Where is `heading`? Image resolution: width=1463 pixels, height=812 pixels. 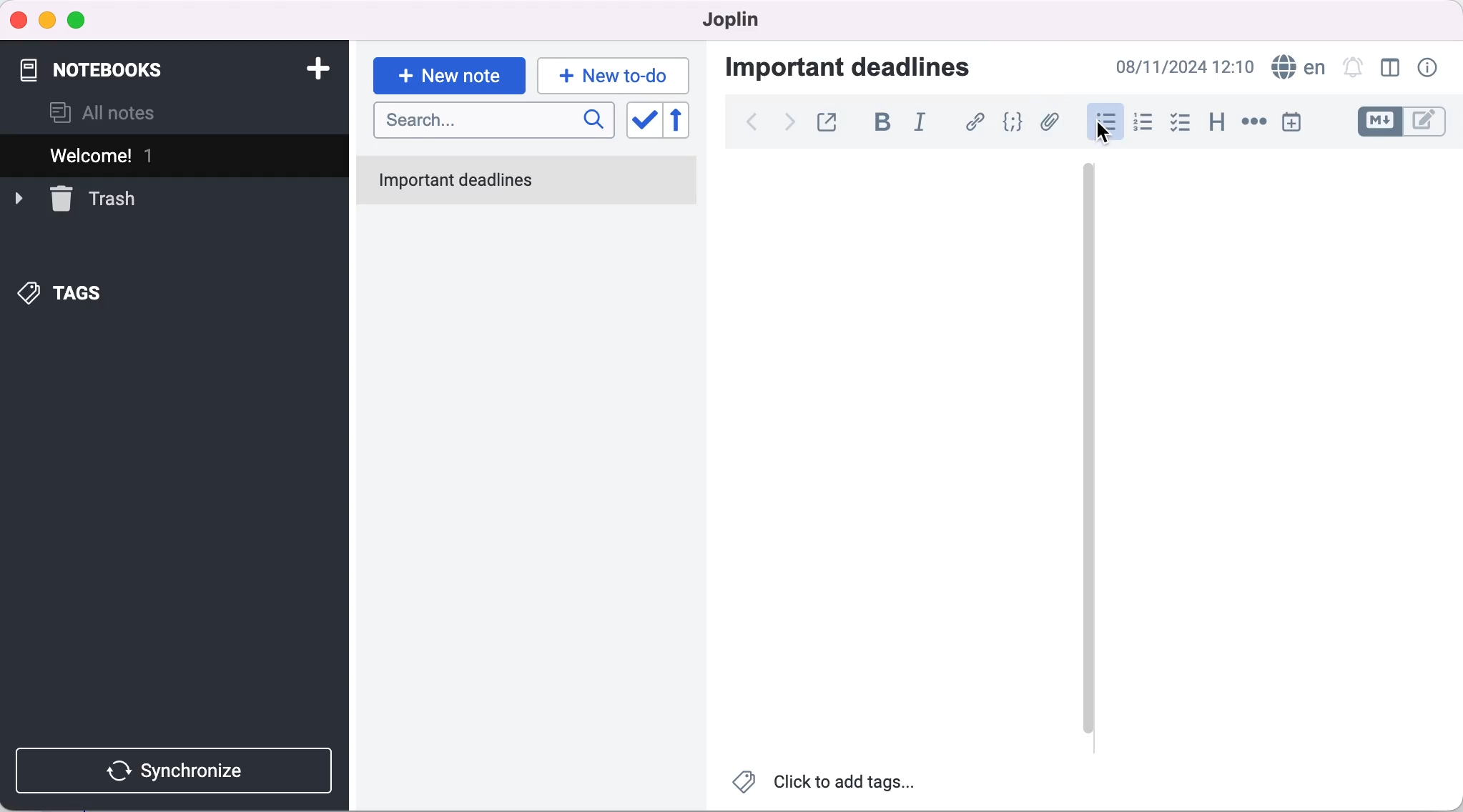 heading is located at coordinates (1216, 124).